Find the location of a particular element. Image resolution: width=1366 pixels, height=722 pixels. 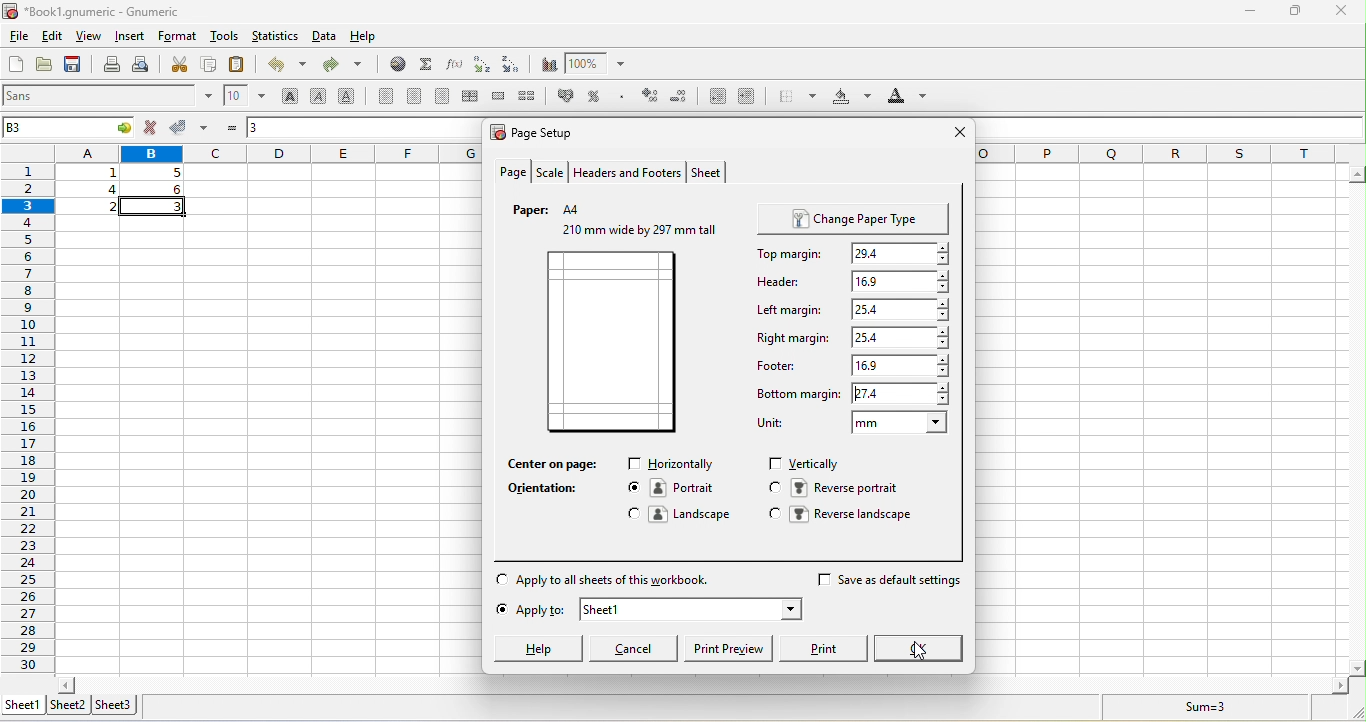

center is located at coordinates (416, 97).